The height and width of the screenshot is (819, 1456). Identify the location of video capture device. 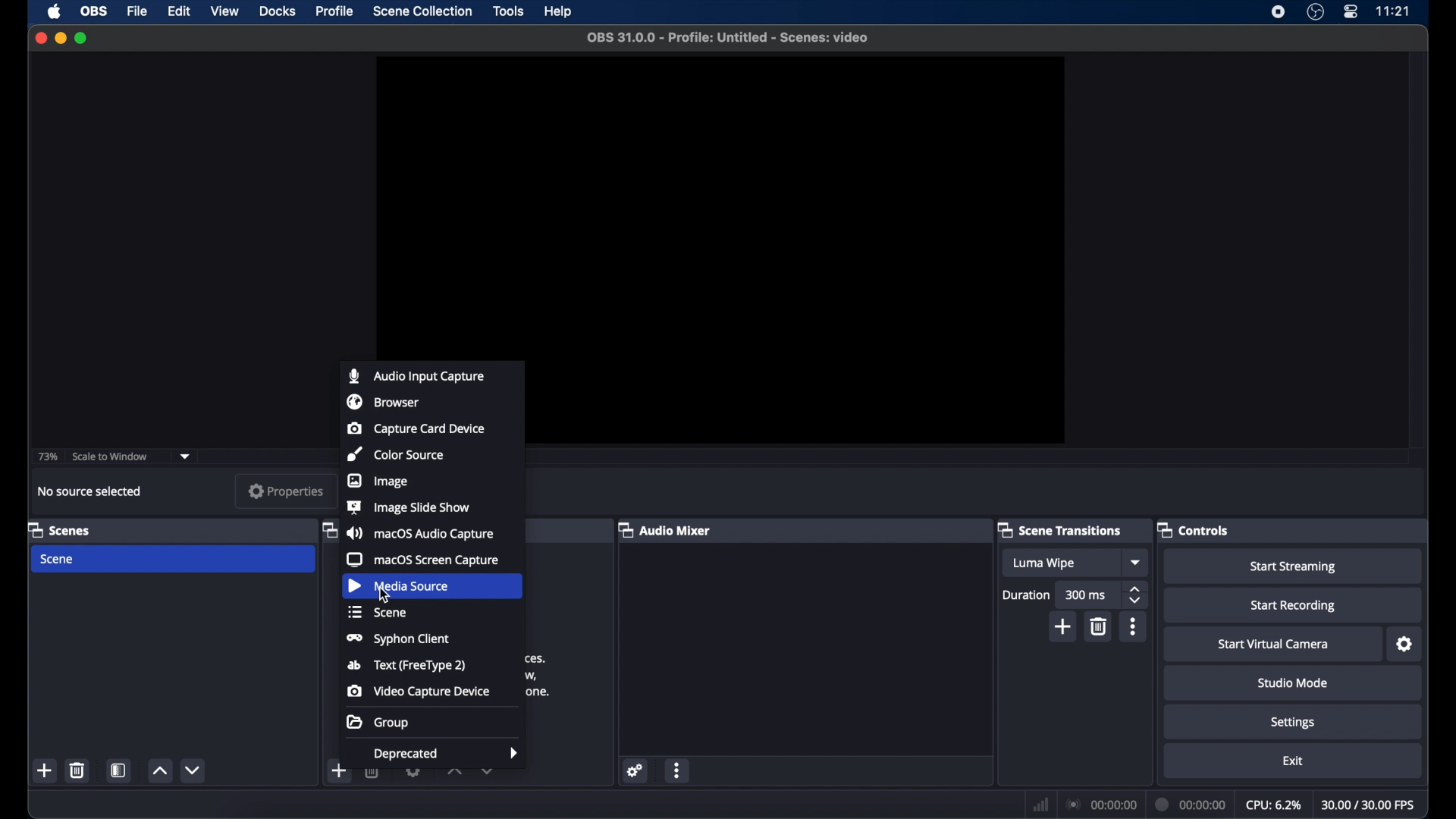
(419, 691).